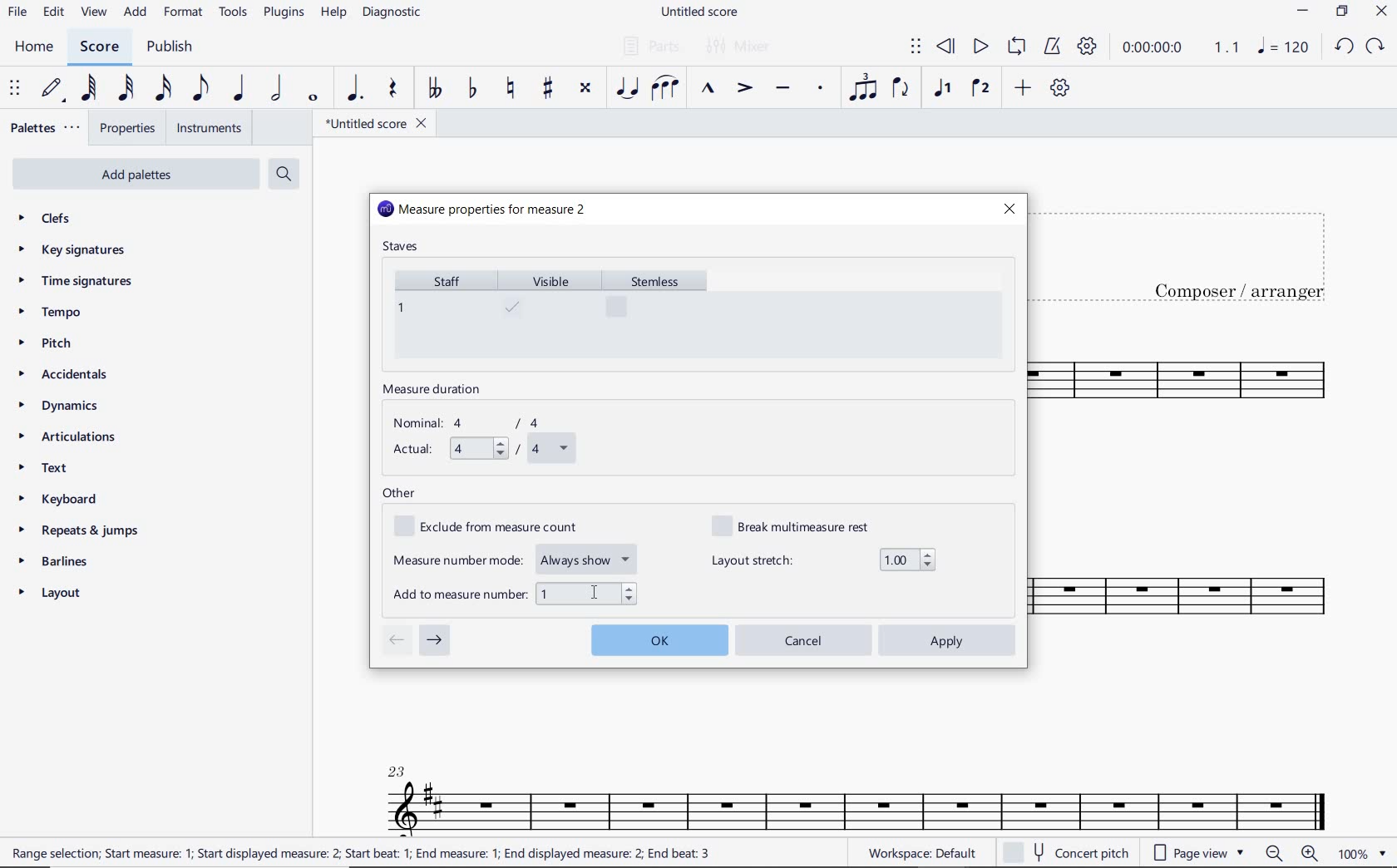 The width and height of the screenshot is (1397, 868). What do you see at coordinates (311, 97) in the screenshot?
I see `WHOLE NOTE` at bounding box center [311, 97].